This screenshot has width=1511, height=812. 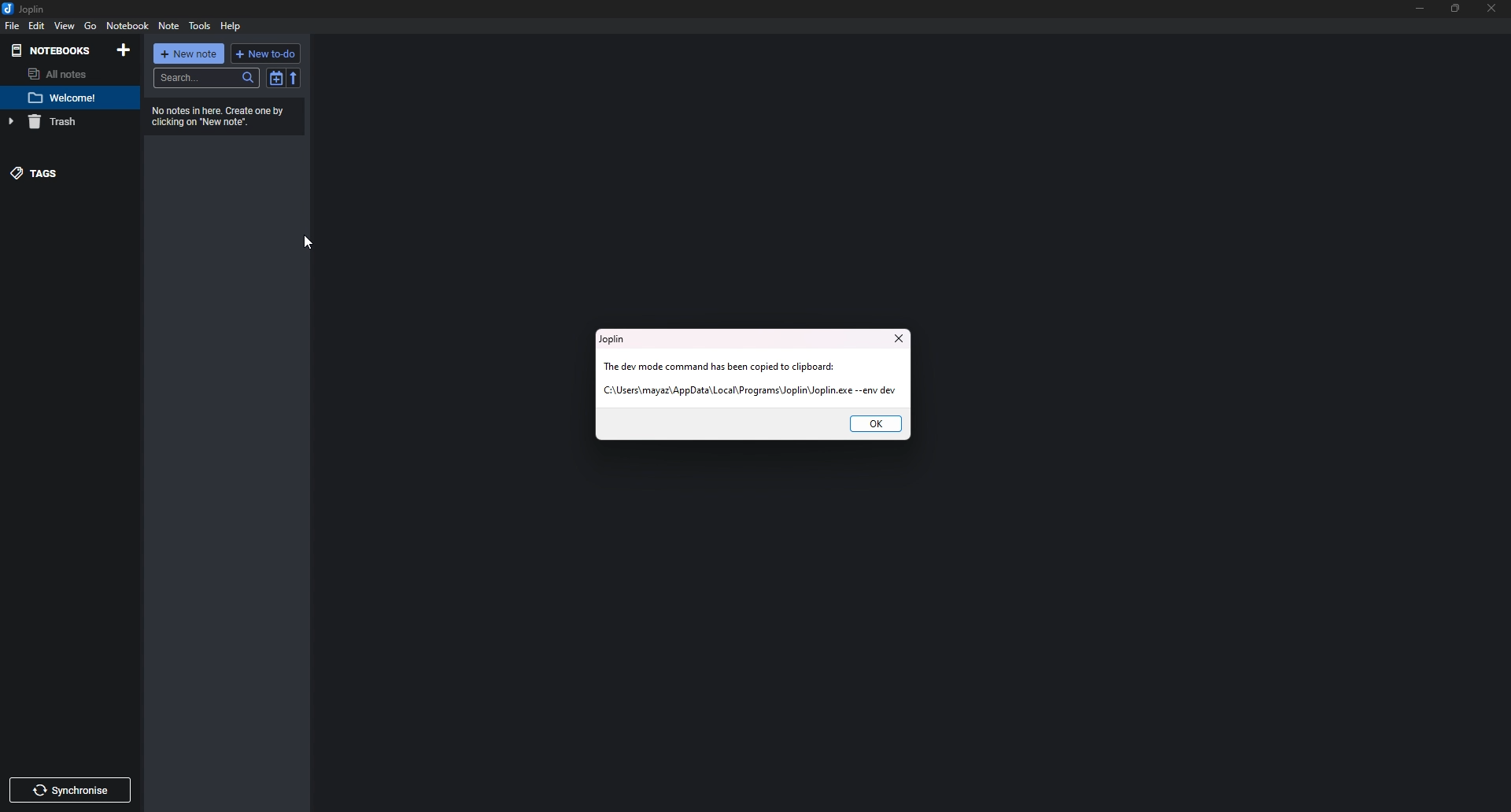 What do you see at coordinates (65, 98) in the screenshot?
I see `Note` at bounding box center [65, 98].